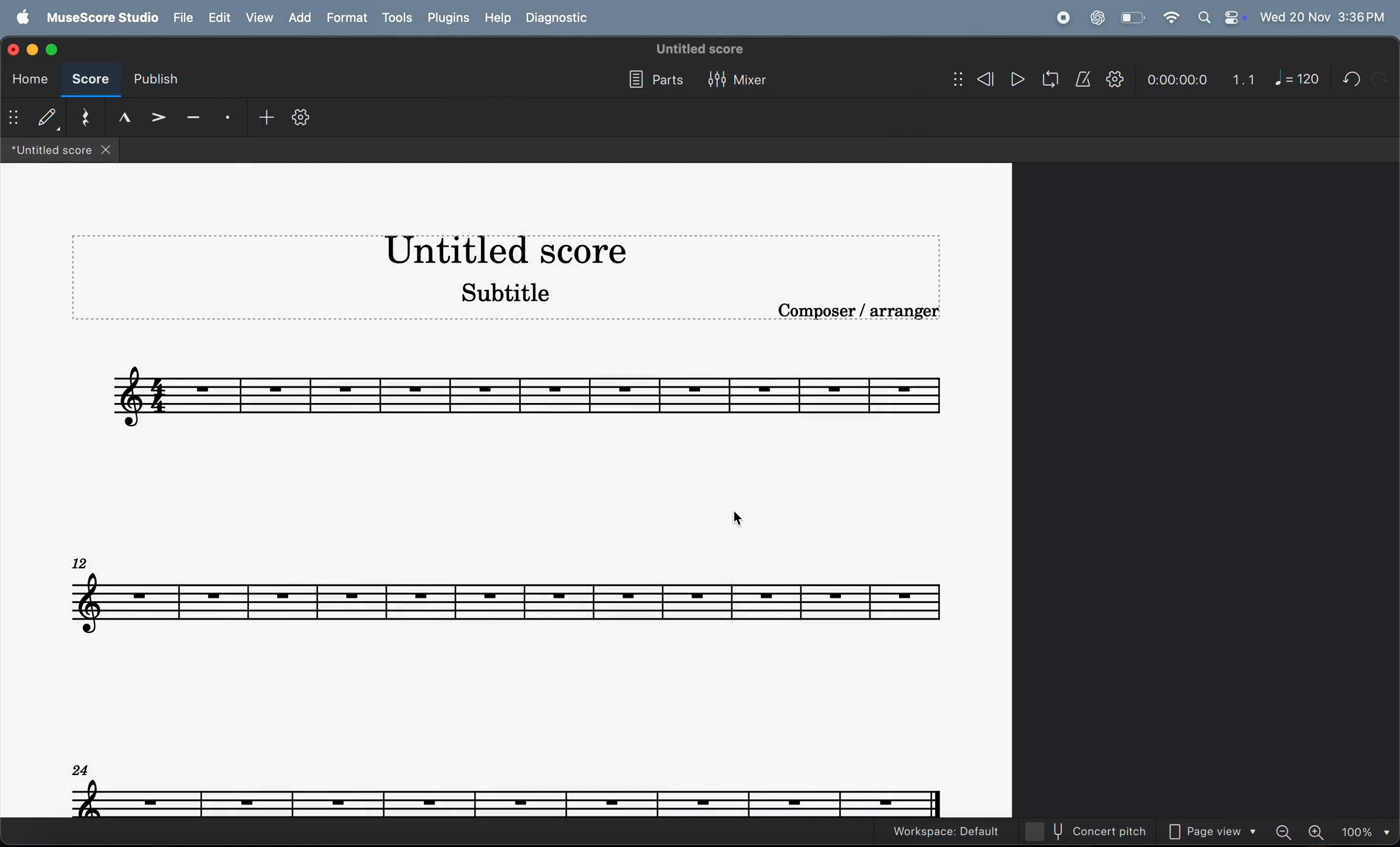 This screenshot has width=1400, height=847. I want to click on settings, so click(301, 121).